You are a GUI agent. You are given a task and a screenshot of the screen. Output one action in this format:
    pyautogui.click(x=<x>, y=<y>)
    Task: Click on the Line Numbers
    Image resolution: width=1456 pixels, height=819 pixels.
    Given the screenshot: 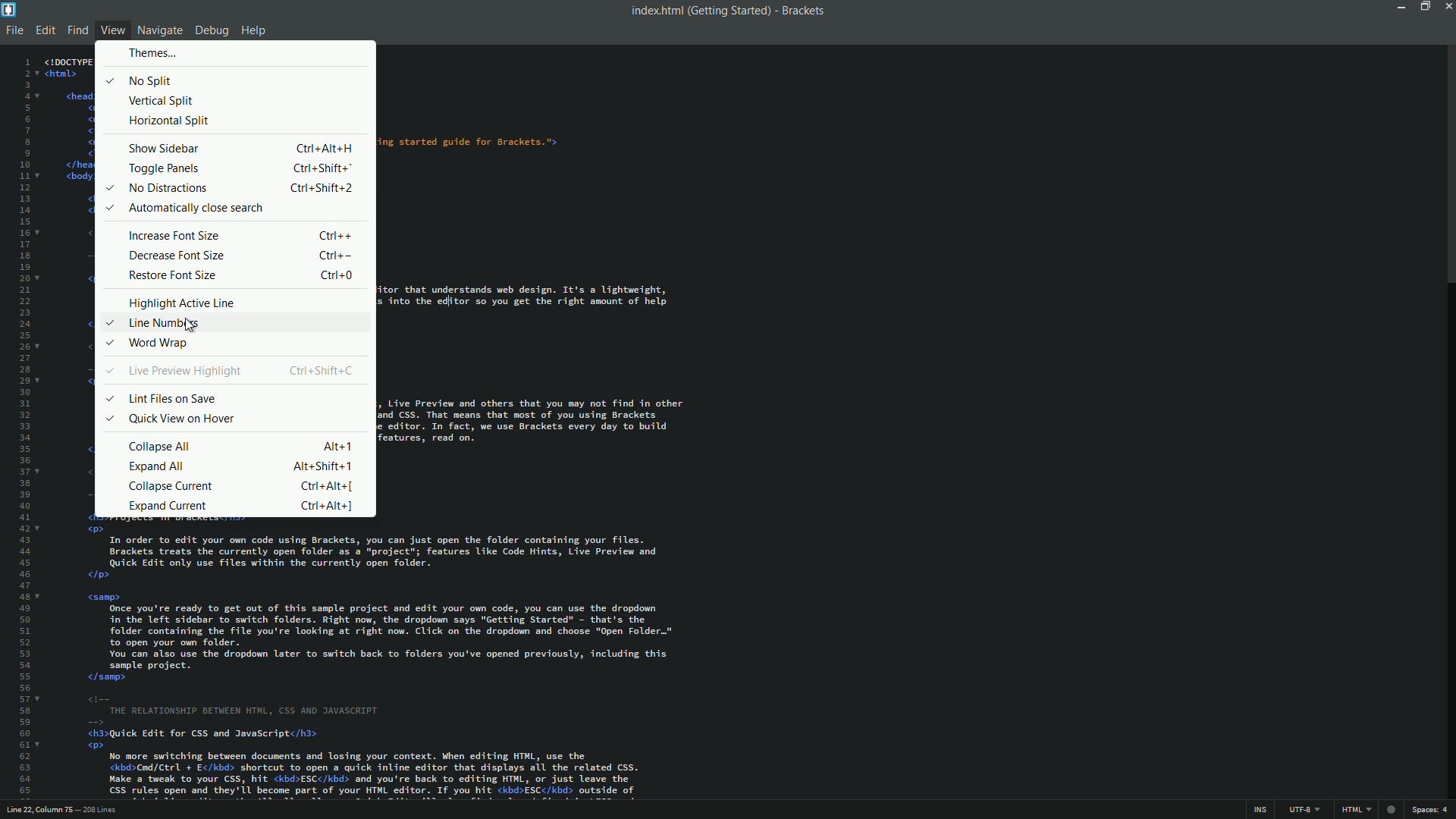 What is the action you would take?
    pyautogui.click(x=155, y=324)
    